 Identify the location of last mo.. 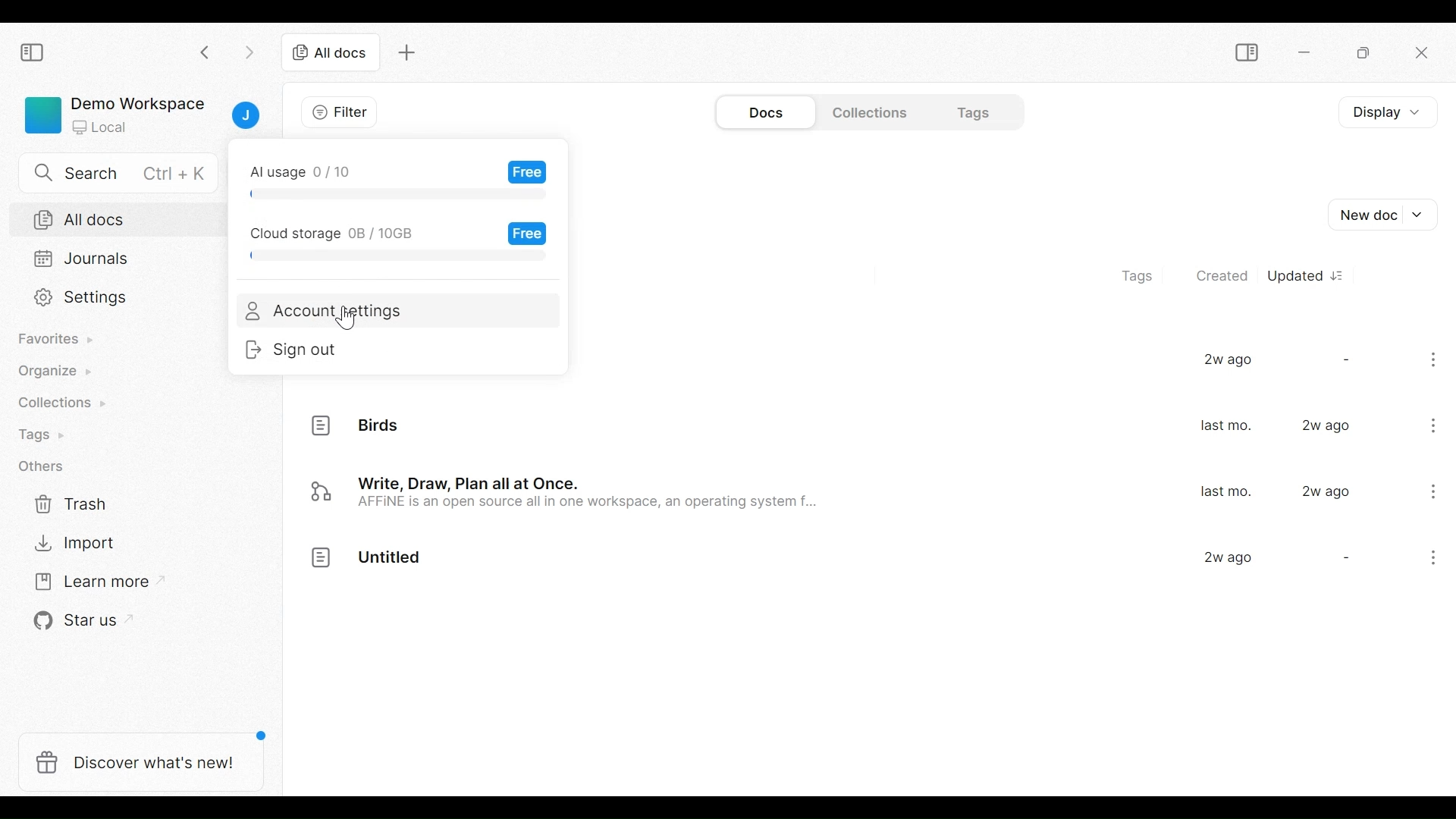
(1225, 427).